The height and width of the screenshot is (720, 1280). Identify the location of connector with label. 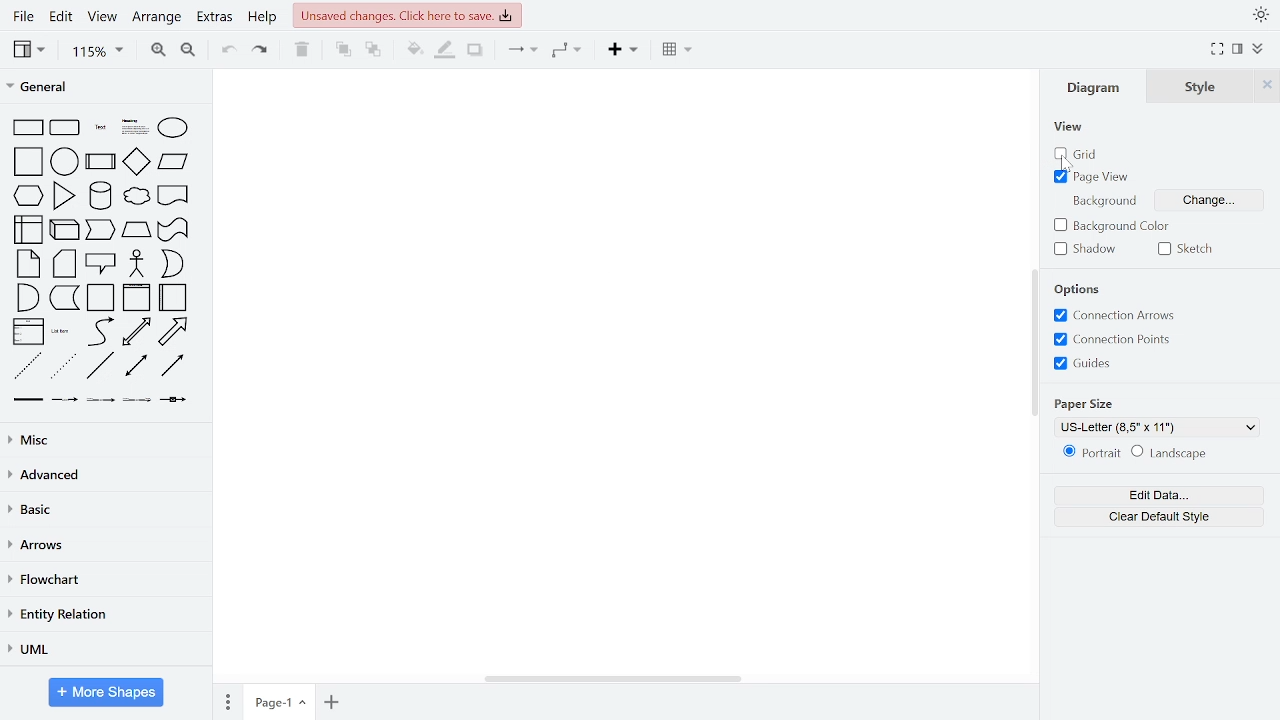
(65, 400).